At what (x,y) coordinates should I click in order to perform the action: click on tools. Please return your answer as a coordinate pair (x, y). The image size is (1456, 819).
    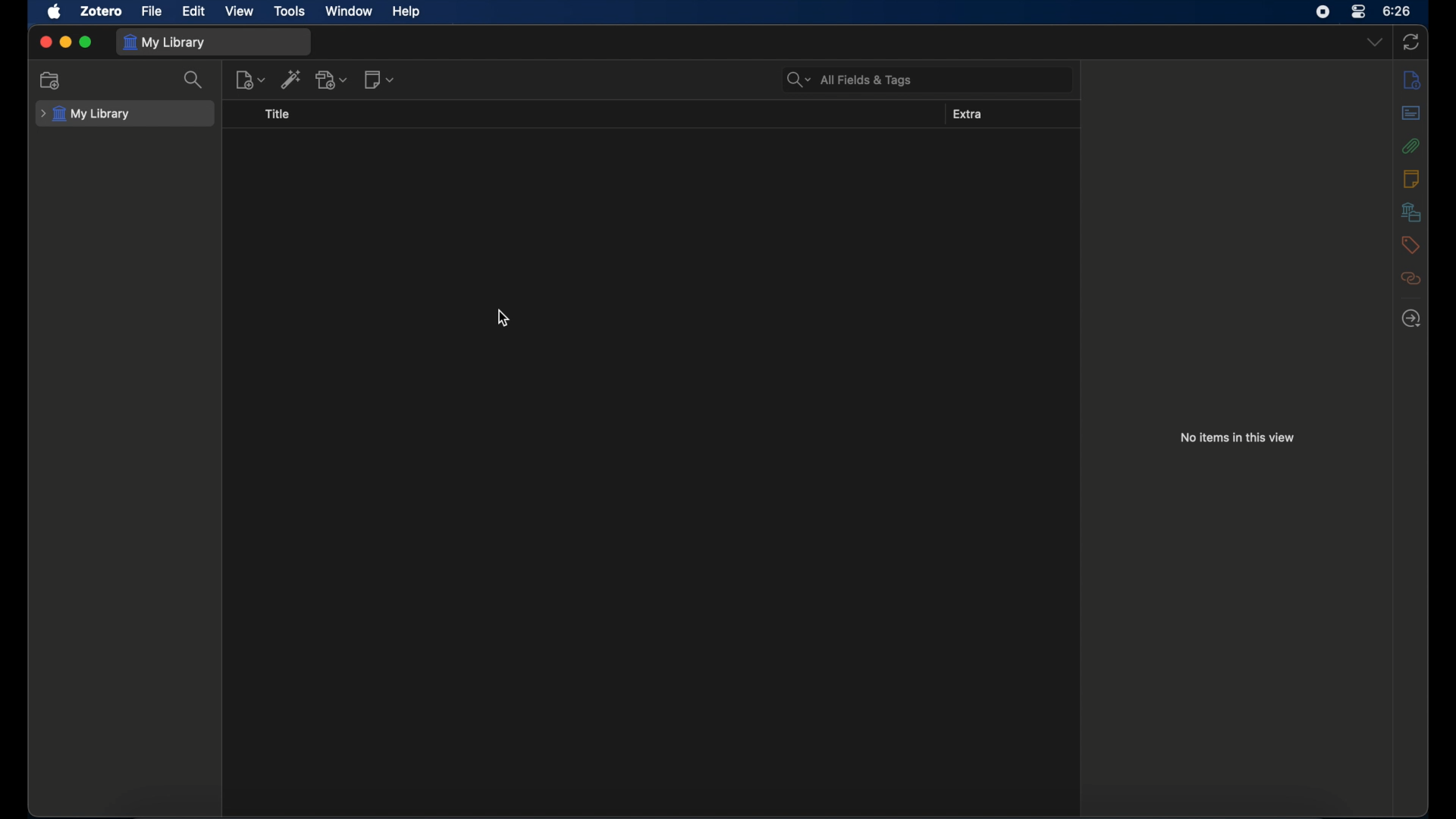
    Looking at the image, I should click on (290, 11).